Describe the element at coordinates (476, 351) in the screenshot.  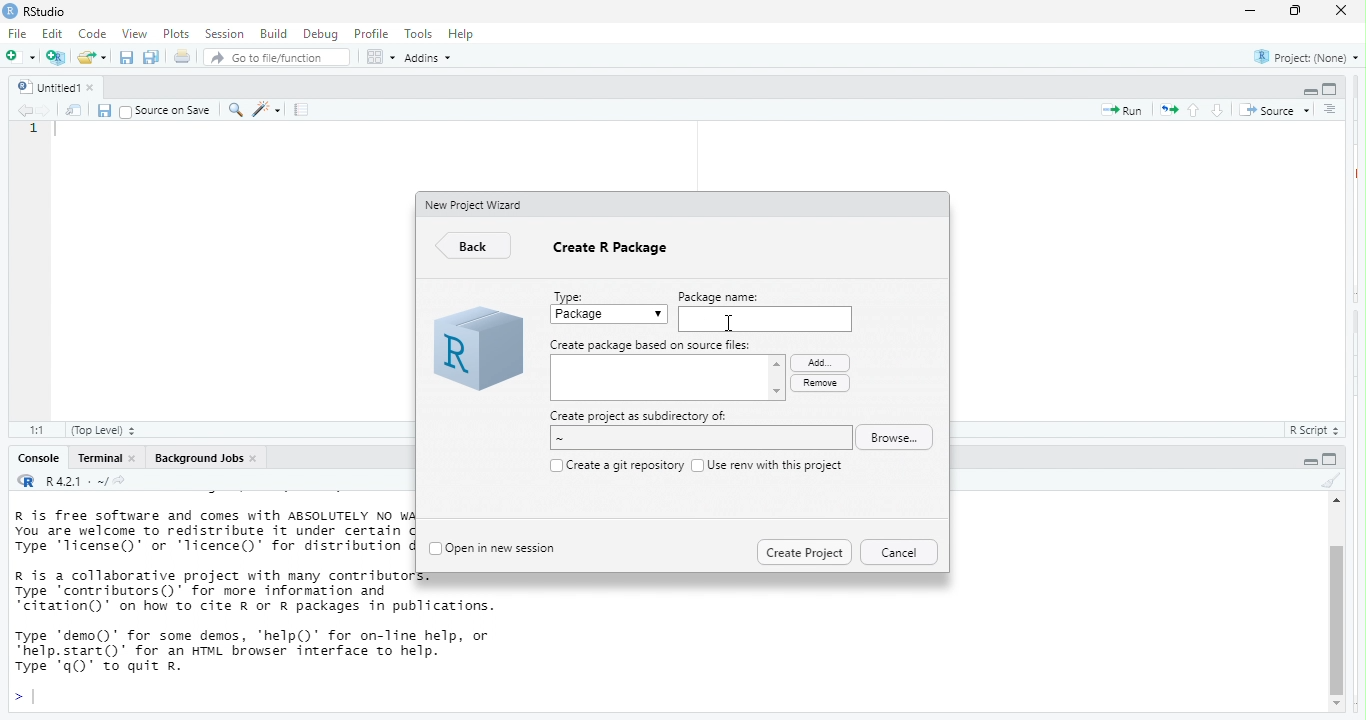
I see `r studio logo` at that location.